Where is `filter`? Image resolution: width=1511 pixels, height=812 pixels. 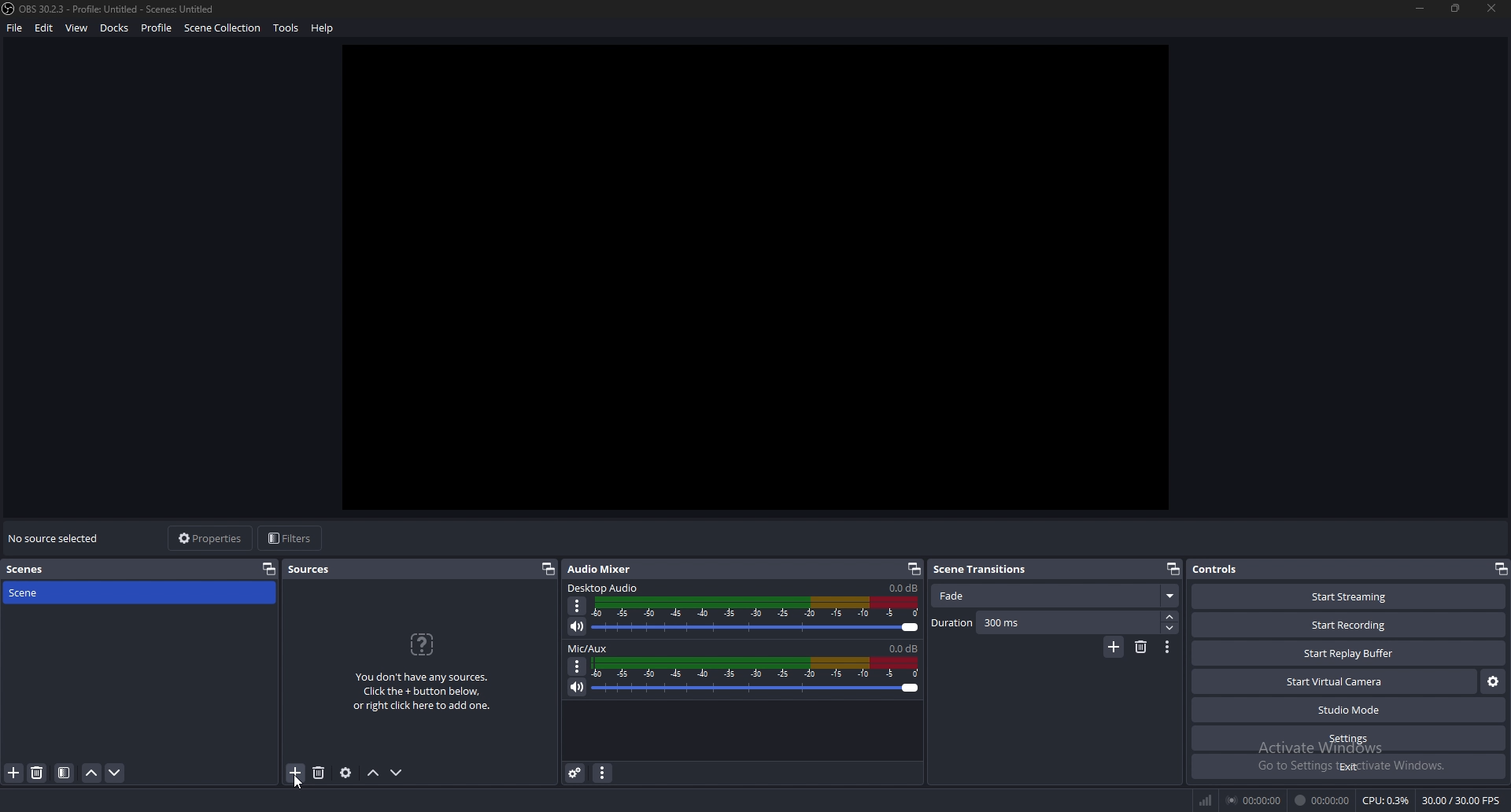
filter is located at coordinates (65, 773).